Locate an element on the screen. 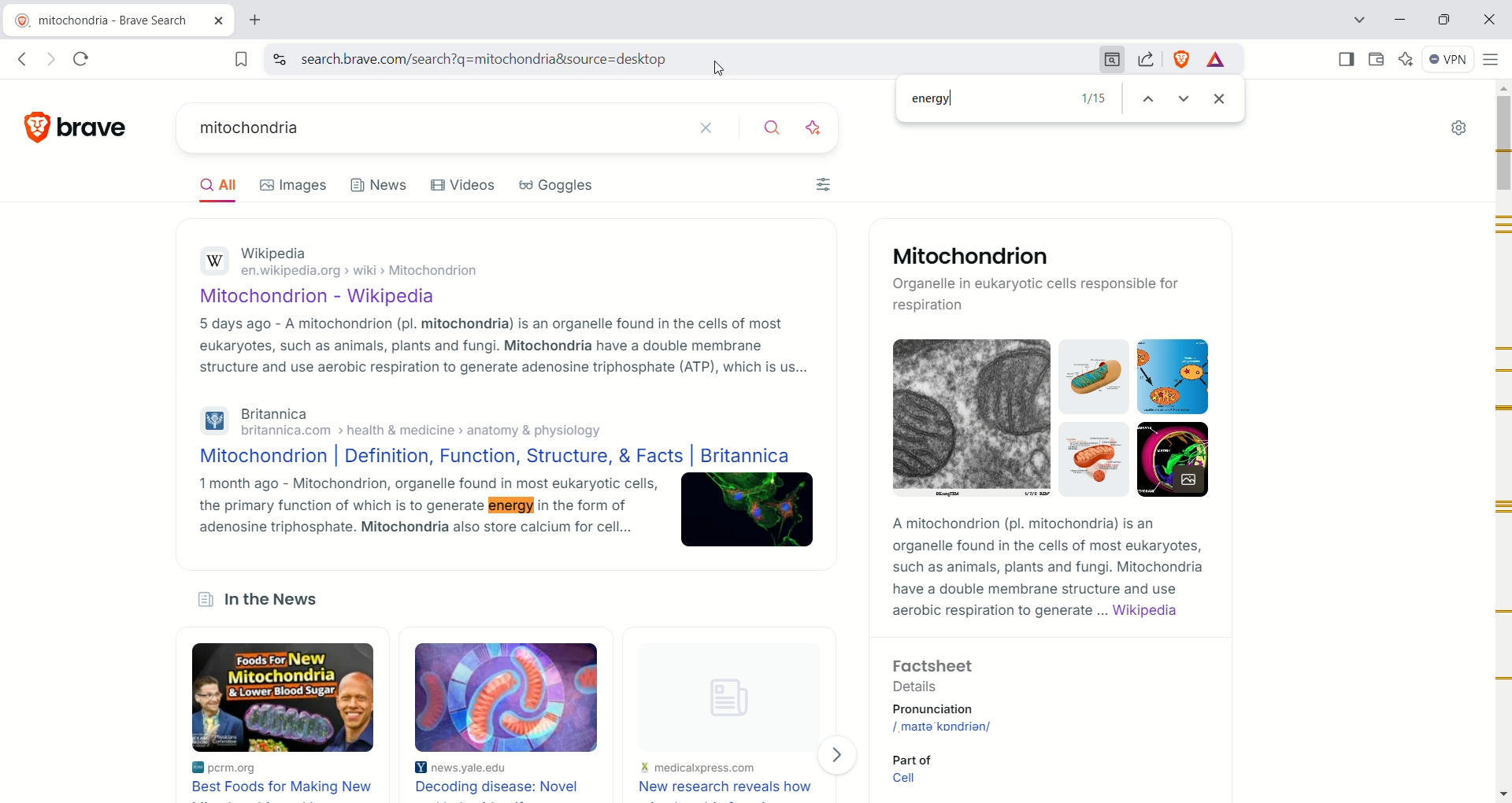 The image size is (1512, 803). share this page is located at coordinates (1146, 59).